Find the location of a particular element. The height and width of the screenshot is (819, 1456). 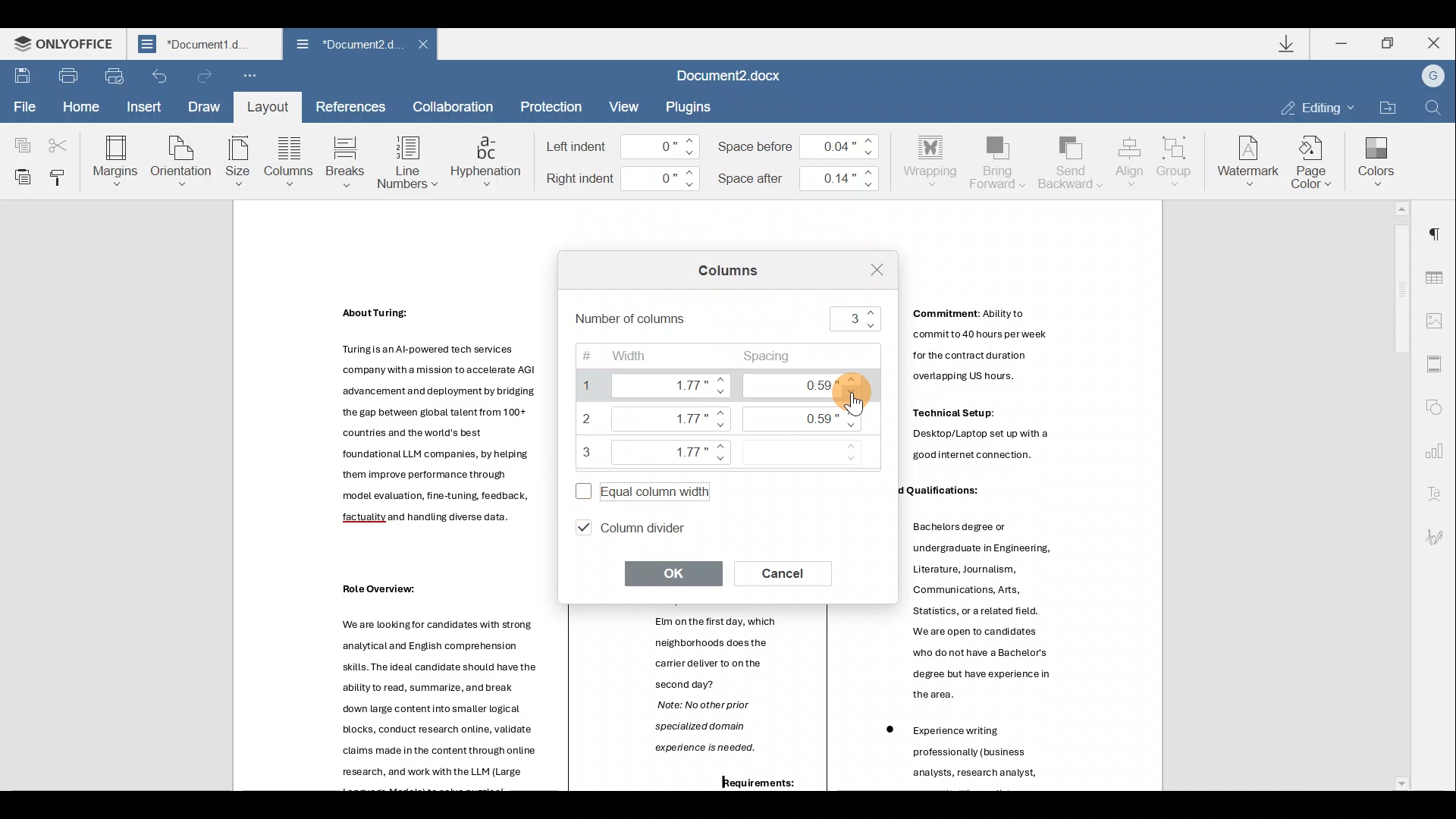

Bring forward is located at coordinates (998, 160).